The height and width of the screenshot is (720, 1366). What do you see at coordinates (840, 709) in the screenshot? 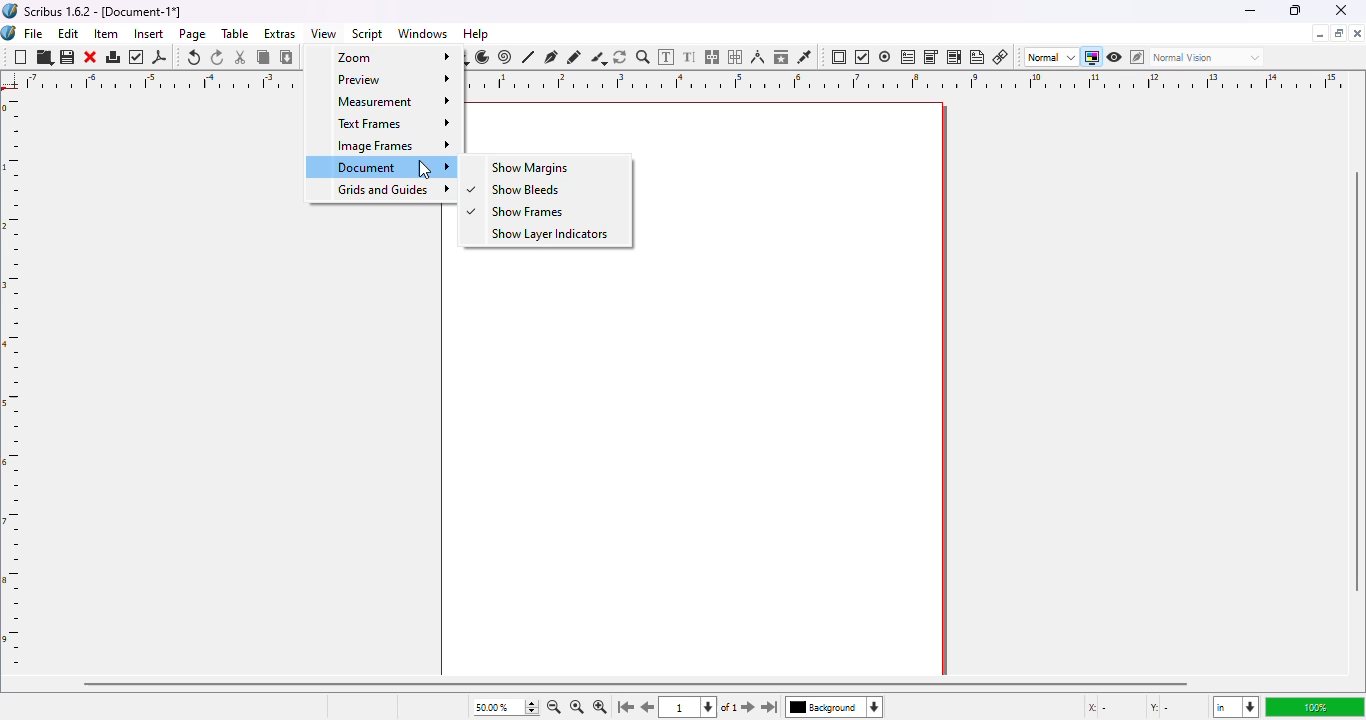
I see `background` at bounding box center [840, 709].